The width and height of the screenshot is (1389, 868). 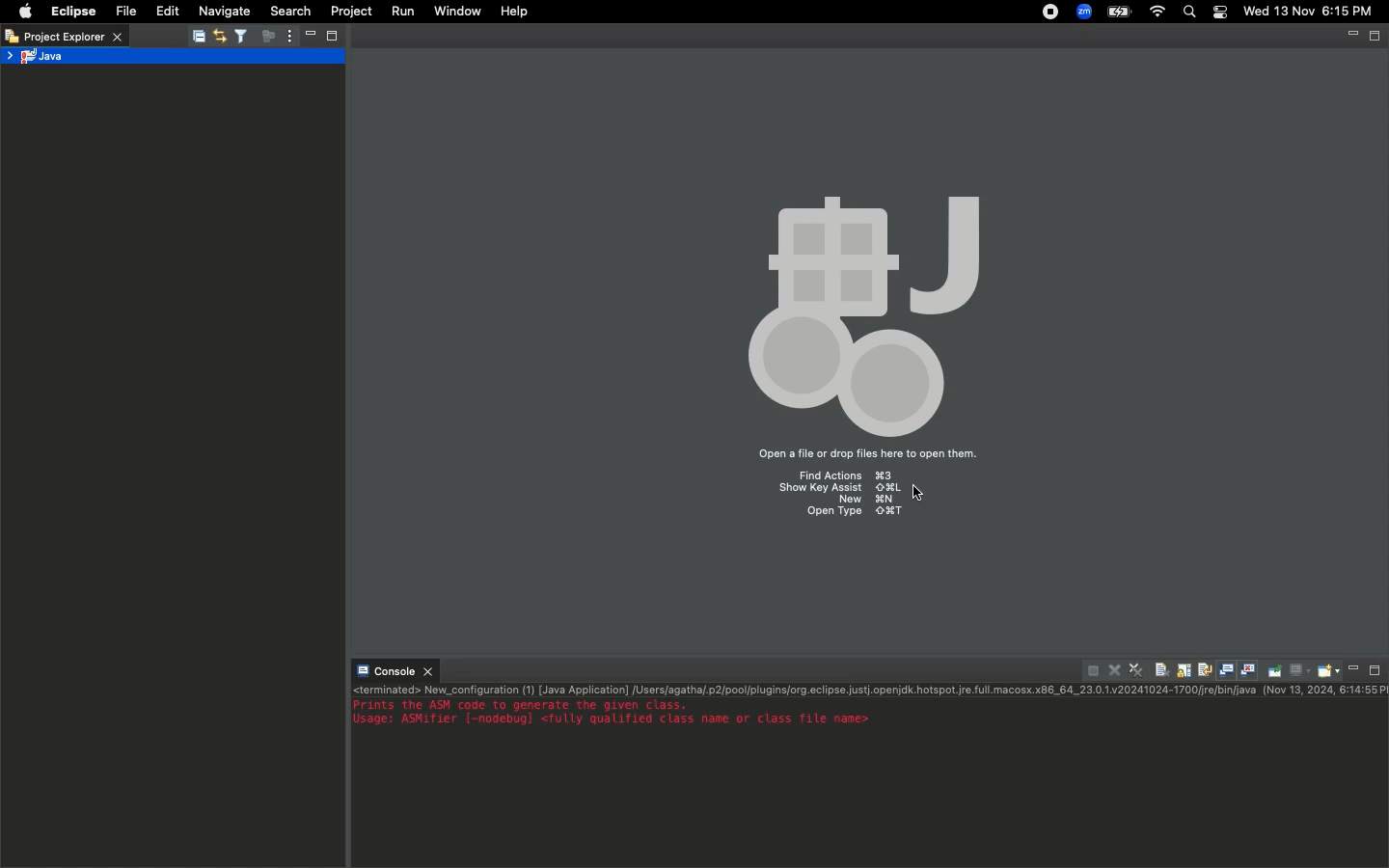 I want to click on show key assist ⇧⌘L, so click(x=840, y=489).